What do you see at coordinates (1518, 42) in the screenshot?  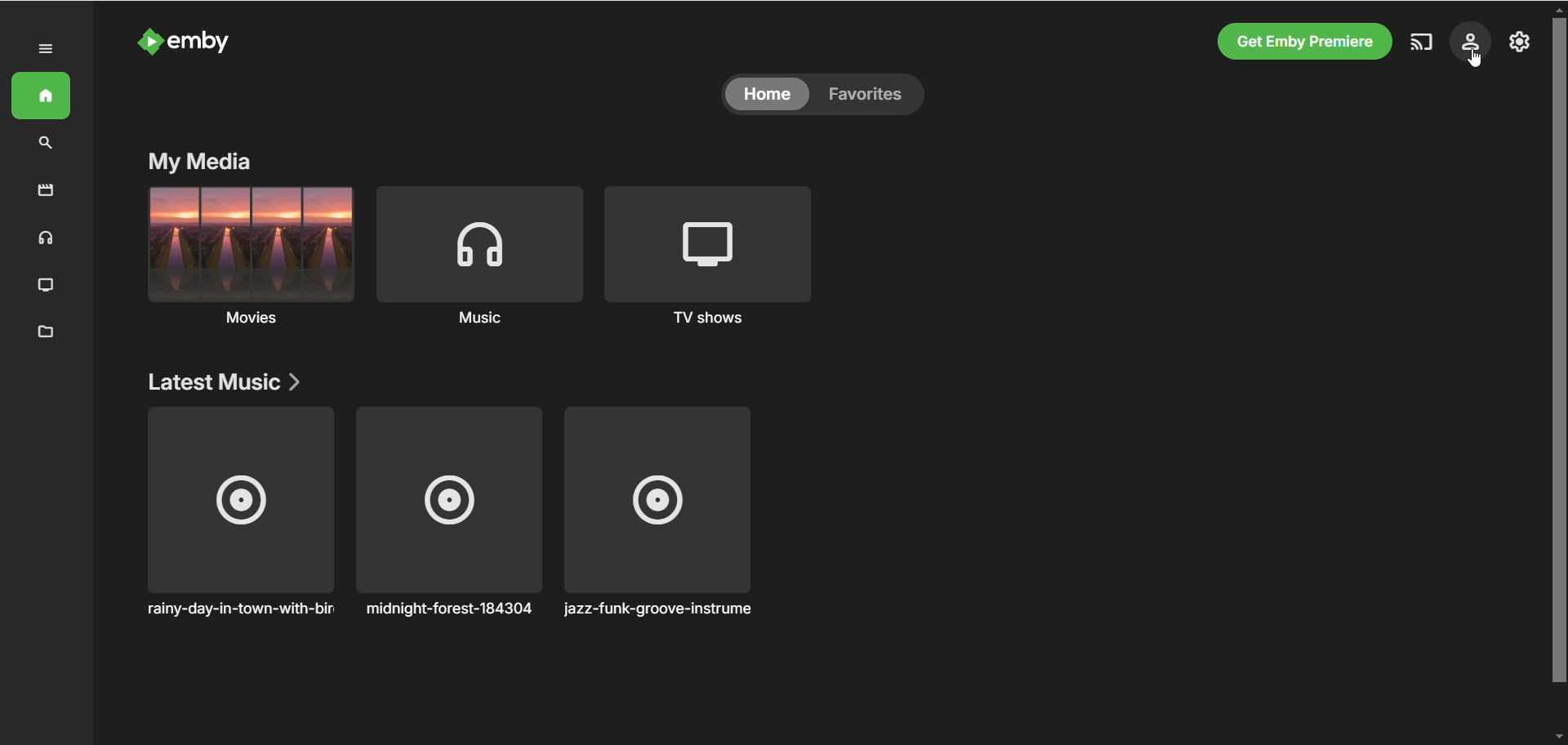 I see `settings` at bounding box center [1518, 42].